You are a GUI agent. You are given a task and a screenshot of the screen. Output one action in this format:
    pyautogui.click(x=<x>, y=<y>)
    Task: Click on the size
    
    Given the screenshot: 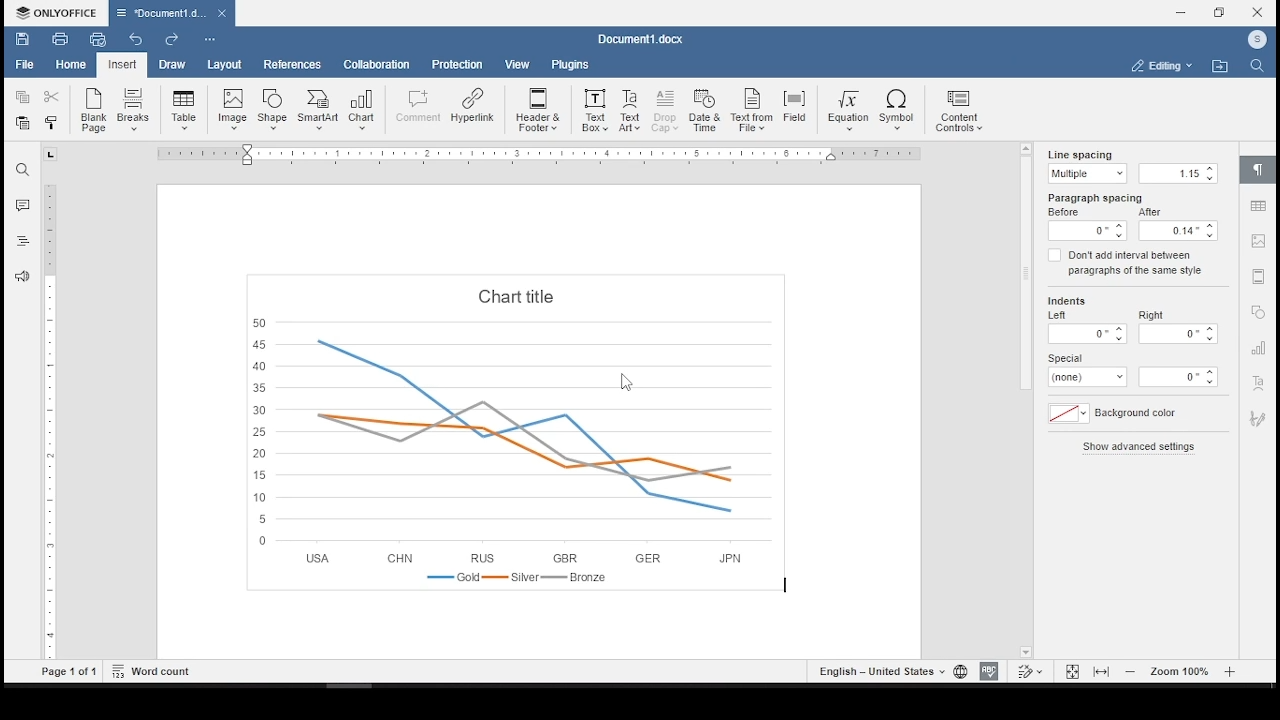 What is the action you would take?
    pyautogui.click(x=1179, y=174)
    